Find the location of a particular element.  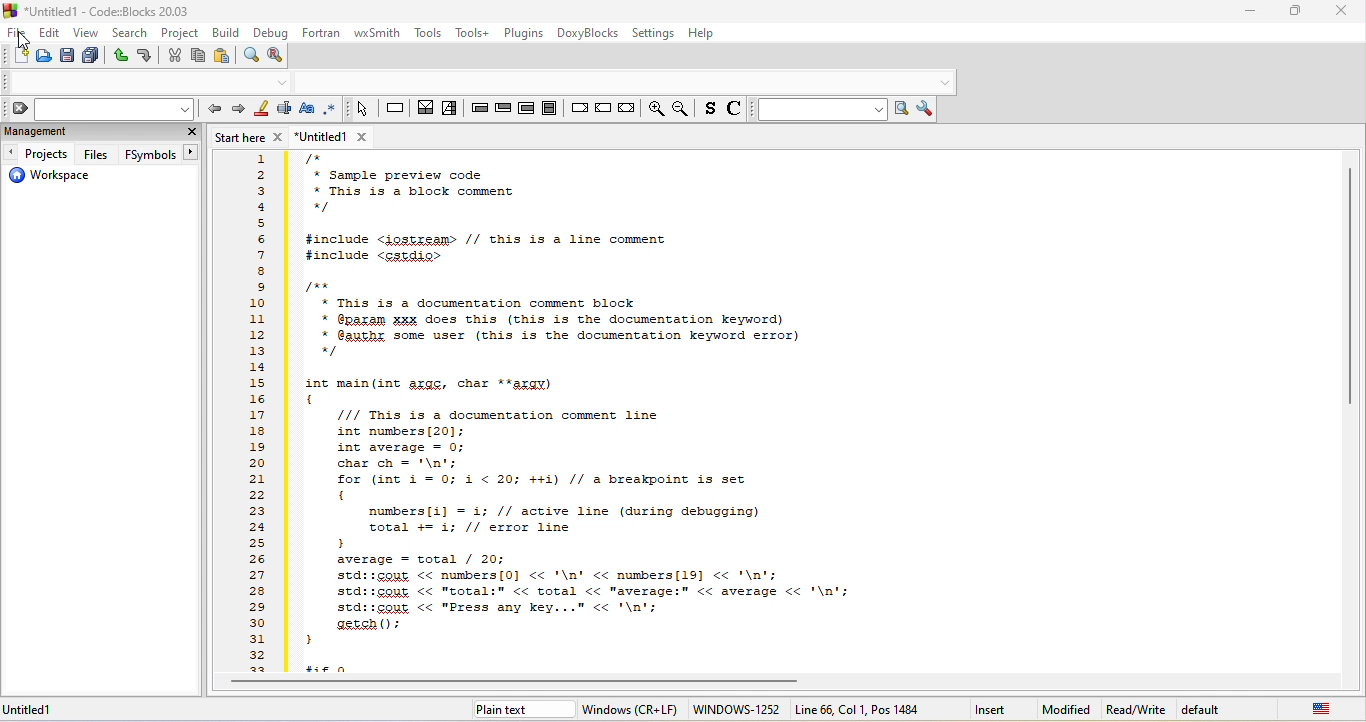

start here is located at coordinates (250, 138).